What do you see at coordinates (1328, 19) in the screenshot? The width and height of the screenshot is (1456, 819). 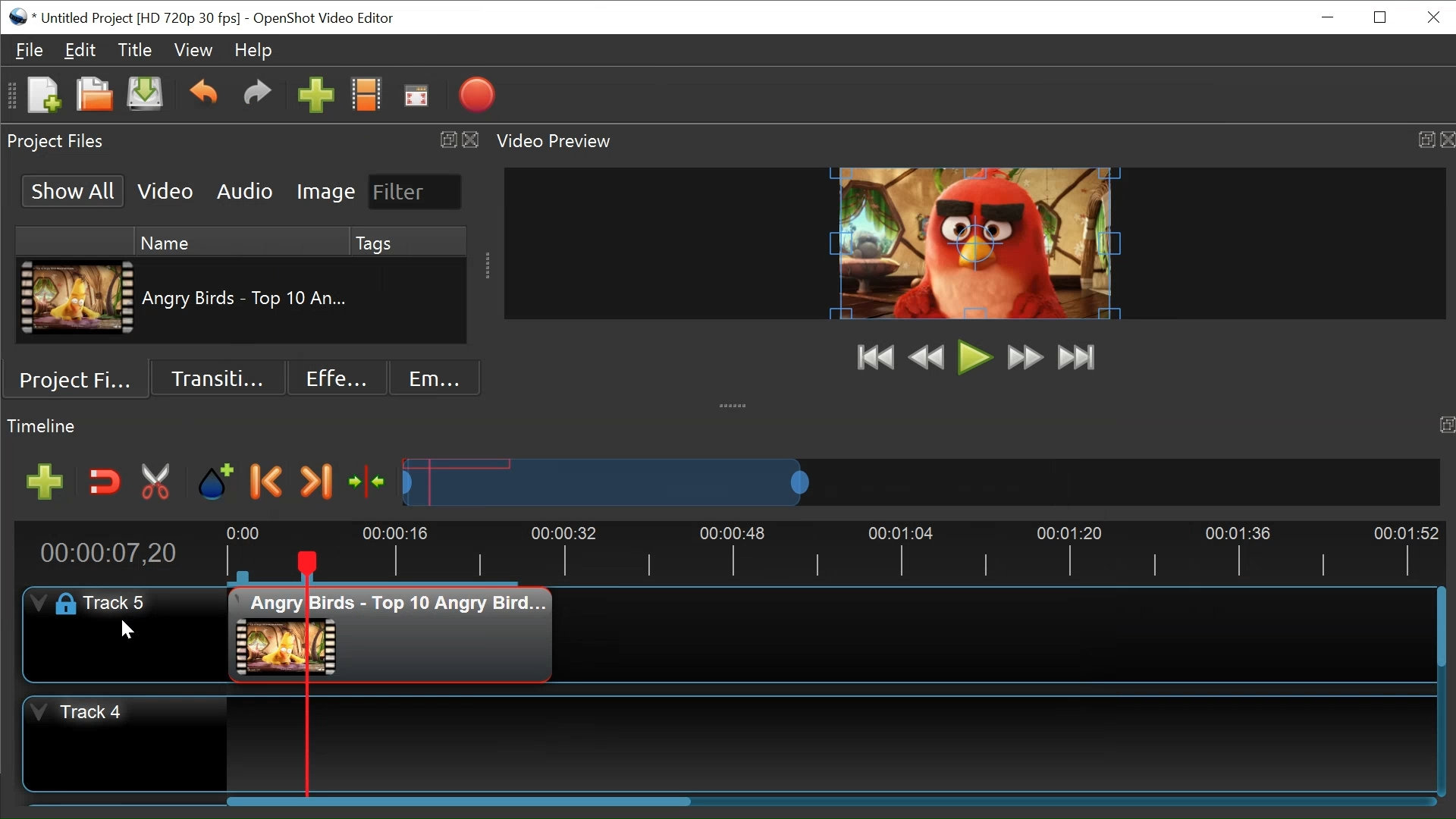 I see `minimize` at bounding box center [1328, 19].